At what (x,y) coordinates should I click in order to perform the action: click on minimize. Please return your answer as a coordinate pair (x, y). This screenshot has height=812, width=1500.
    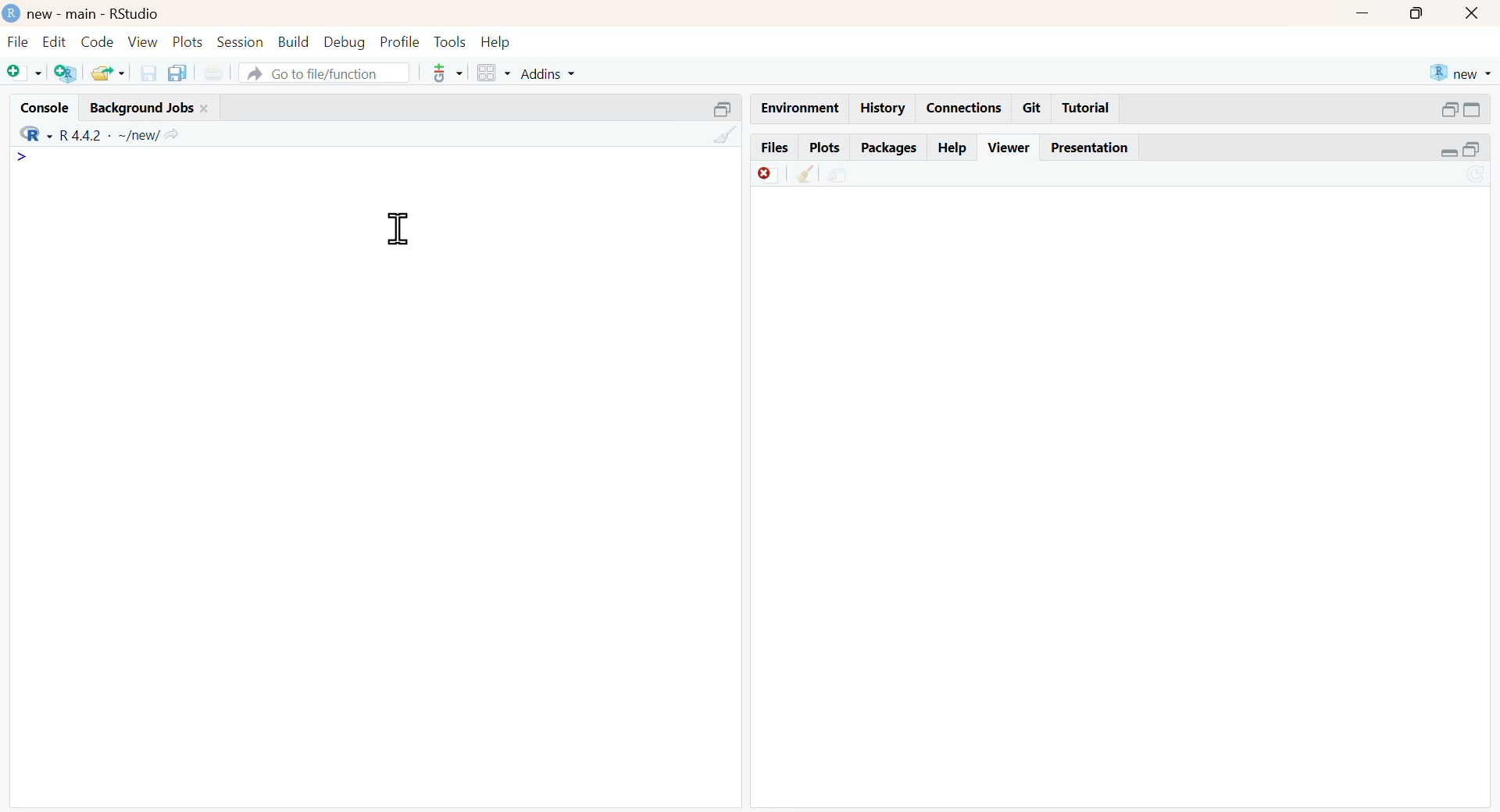
    Looking at the image, I should click on (1365, 13).